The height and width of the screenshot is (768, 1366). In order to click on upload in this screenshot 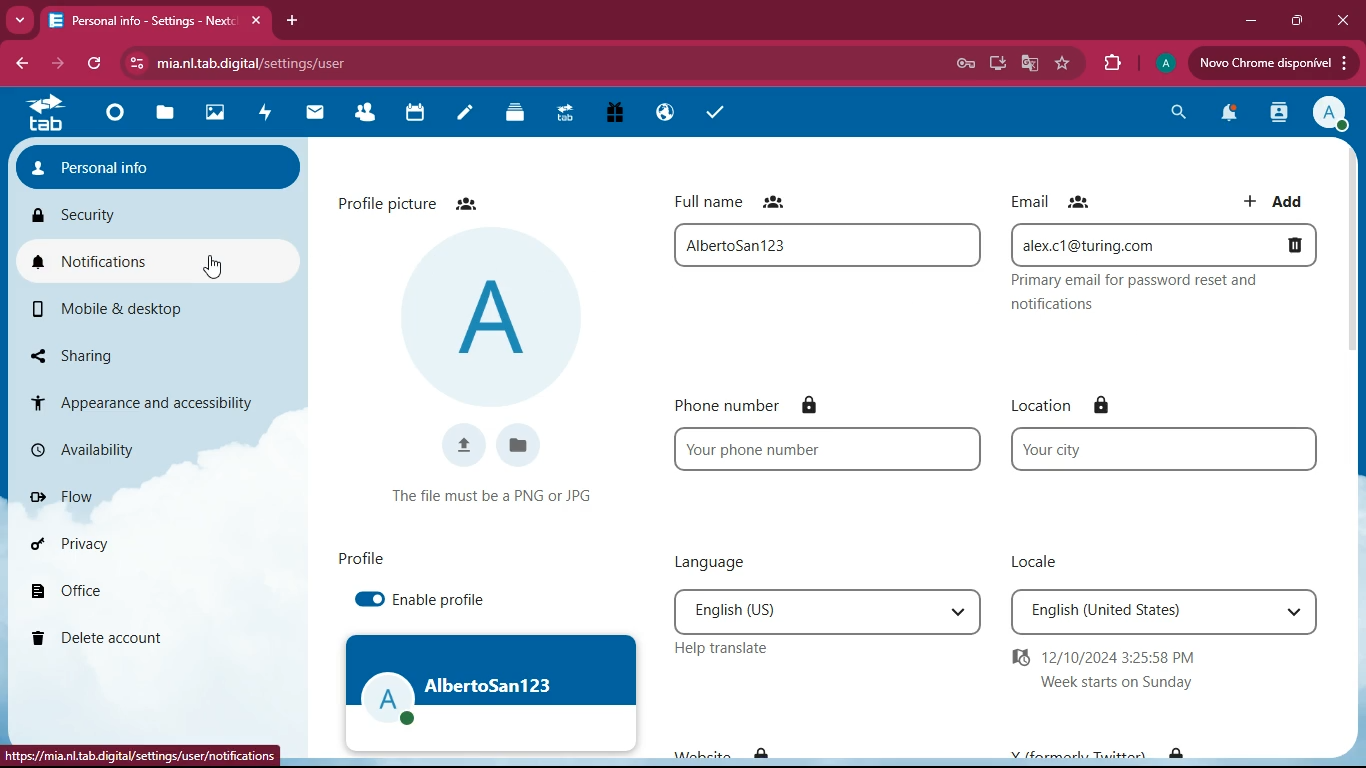, I will do `click(466, 449)`.